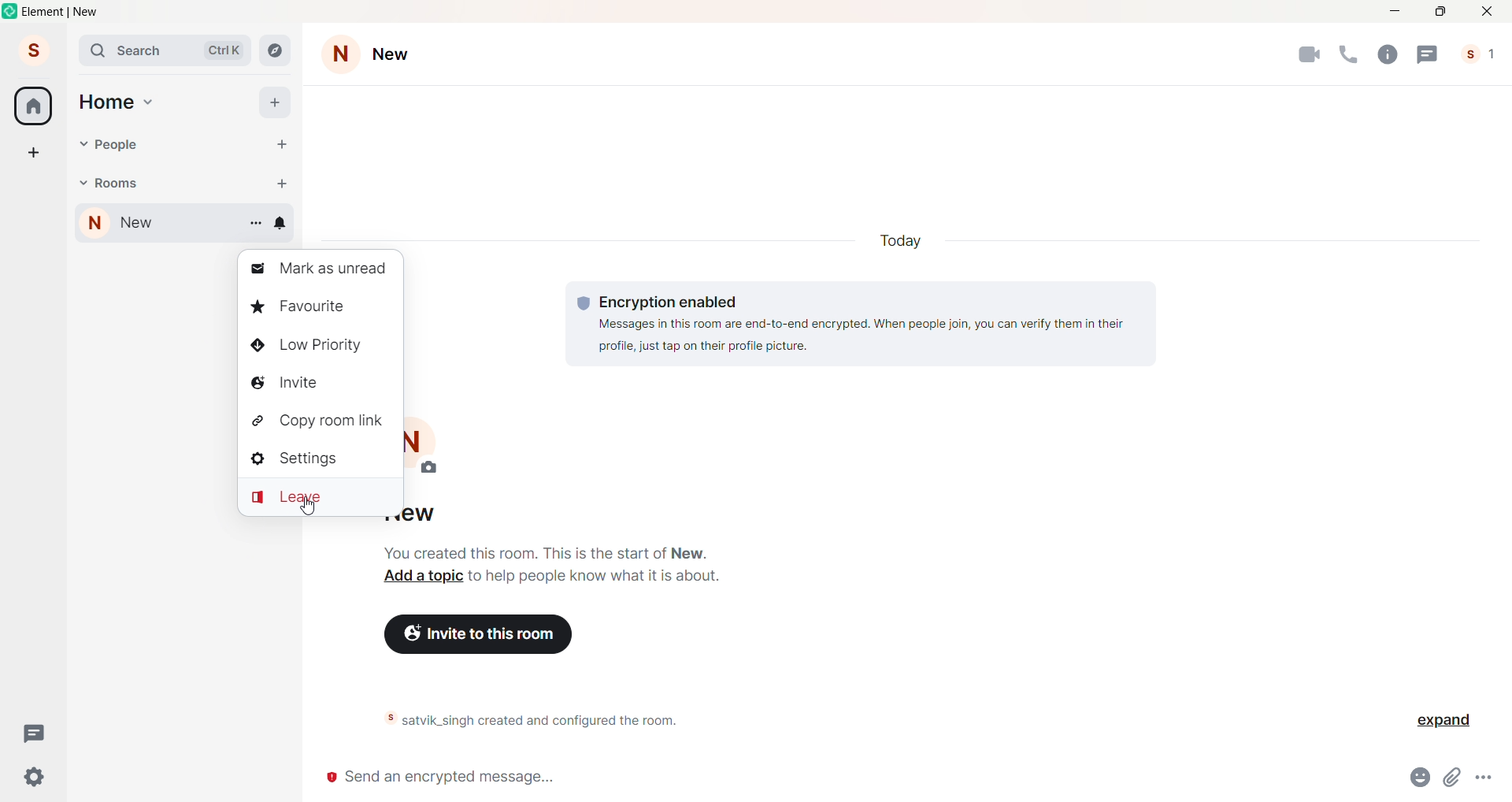  I want to click on Leave, so click(319, 499).